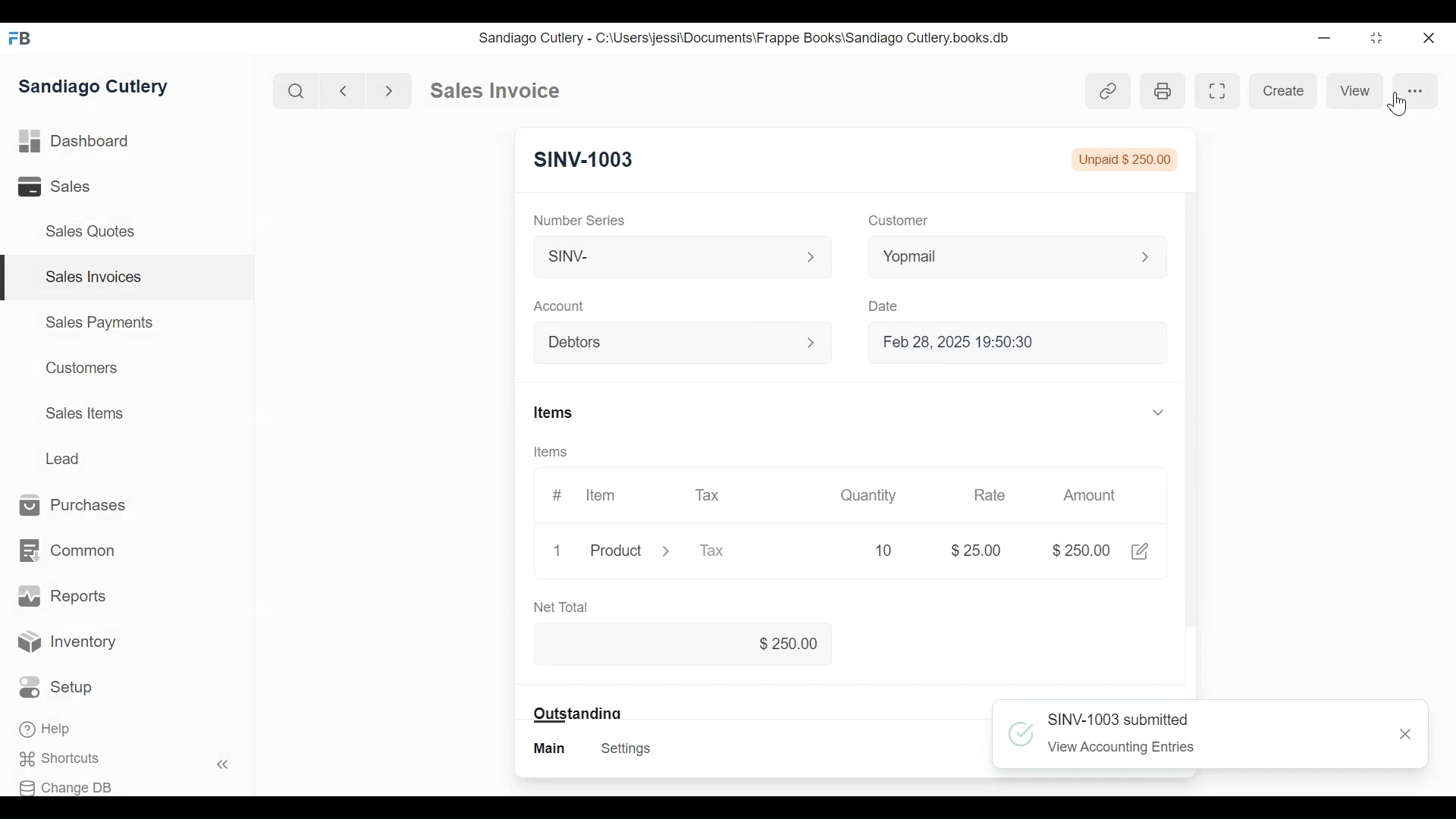 The image size is (1456, 819). I want to click on cursor, so click(1398, 106).